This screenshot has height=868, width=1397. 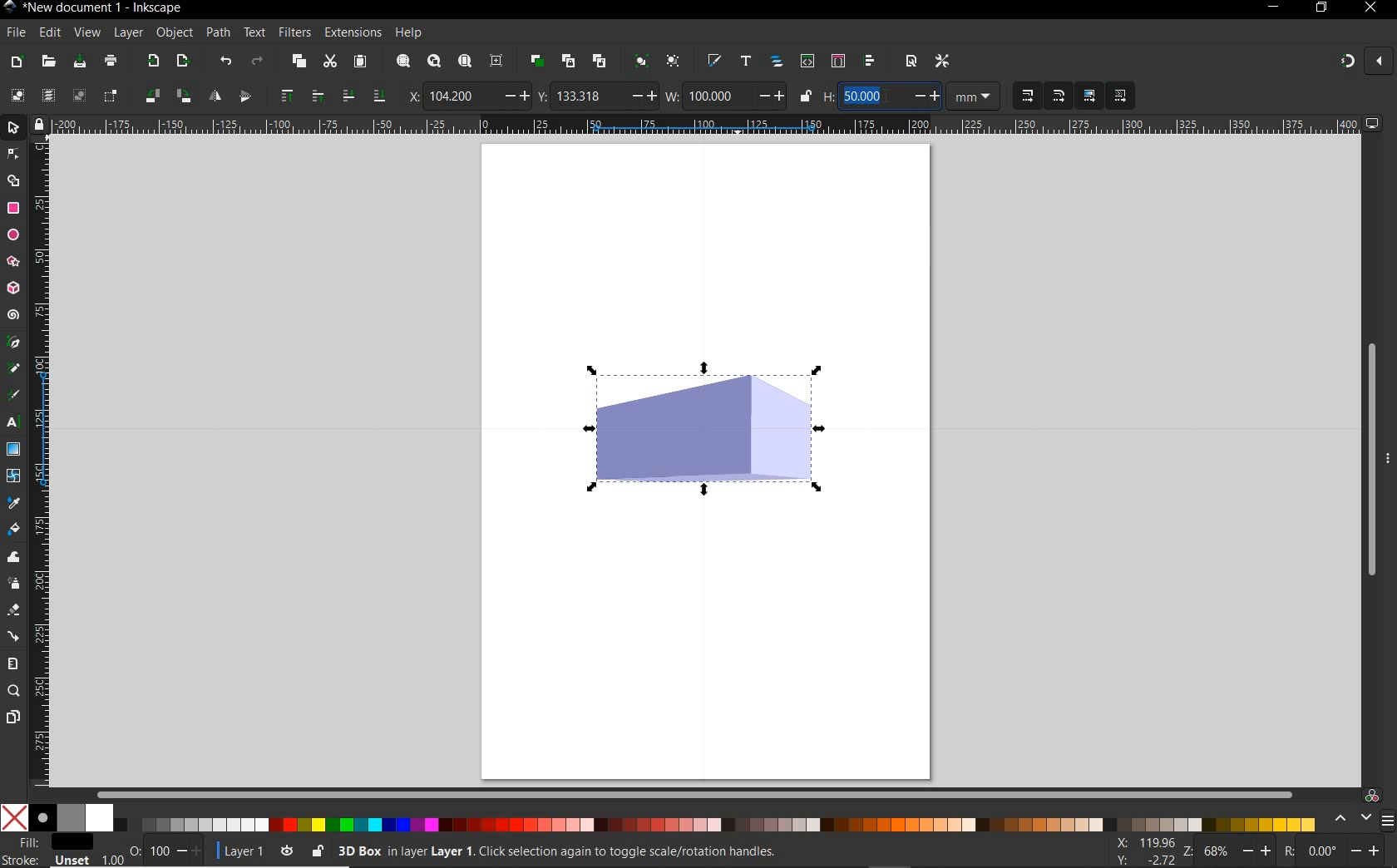 What do you see at coordinates (644, 849) in the screenshot?
I see `no objects selected` at bounding box center [644, 849].